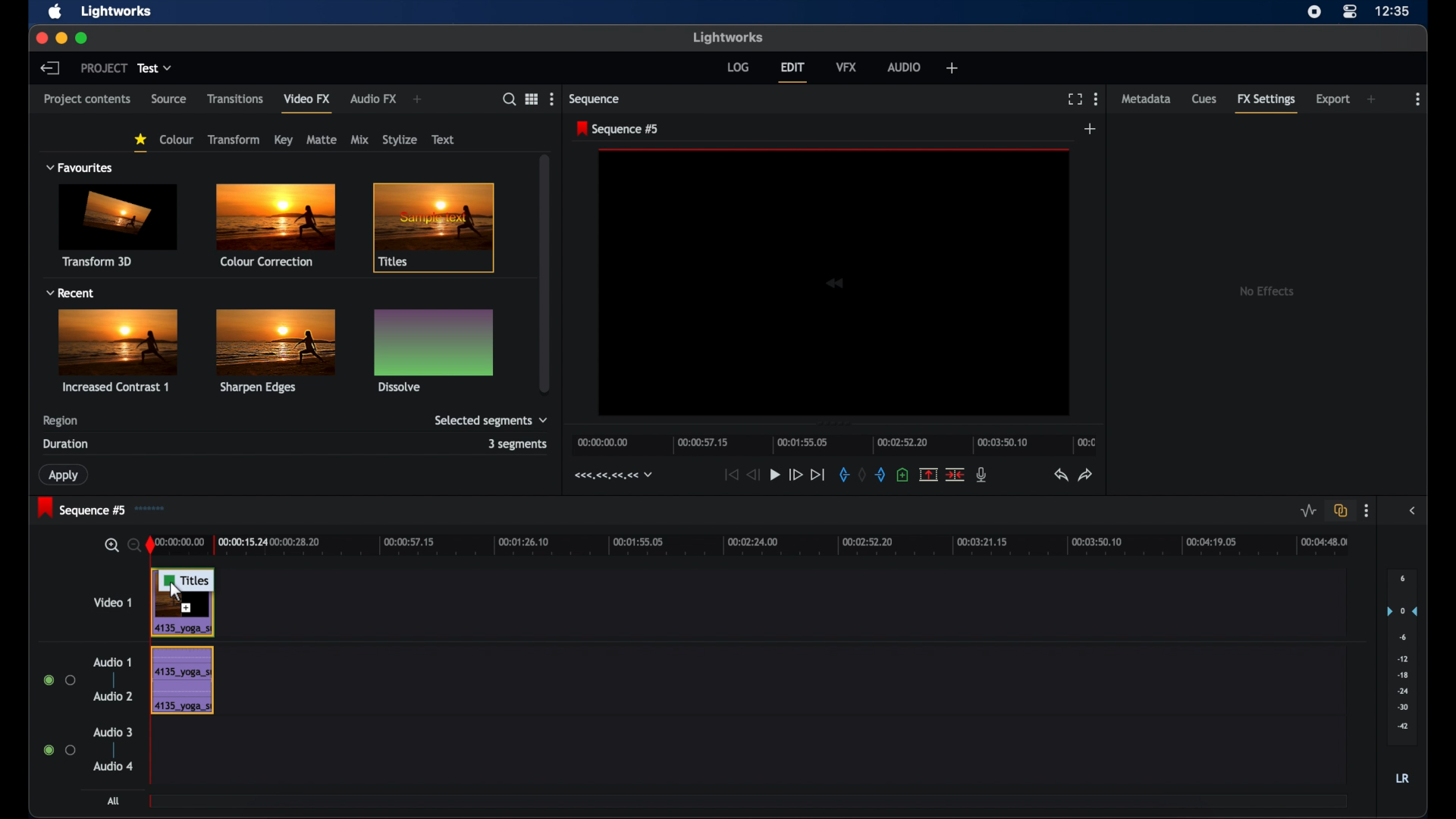  What do you see at coordinates (531, 99) in the screenshot?
I see `options` at bounding box center [531, 99].